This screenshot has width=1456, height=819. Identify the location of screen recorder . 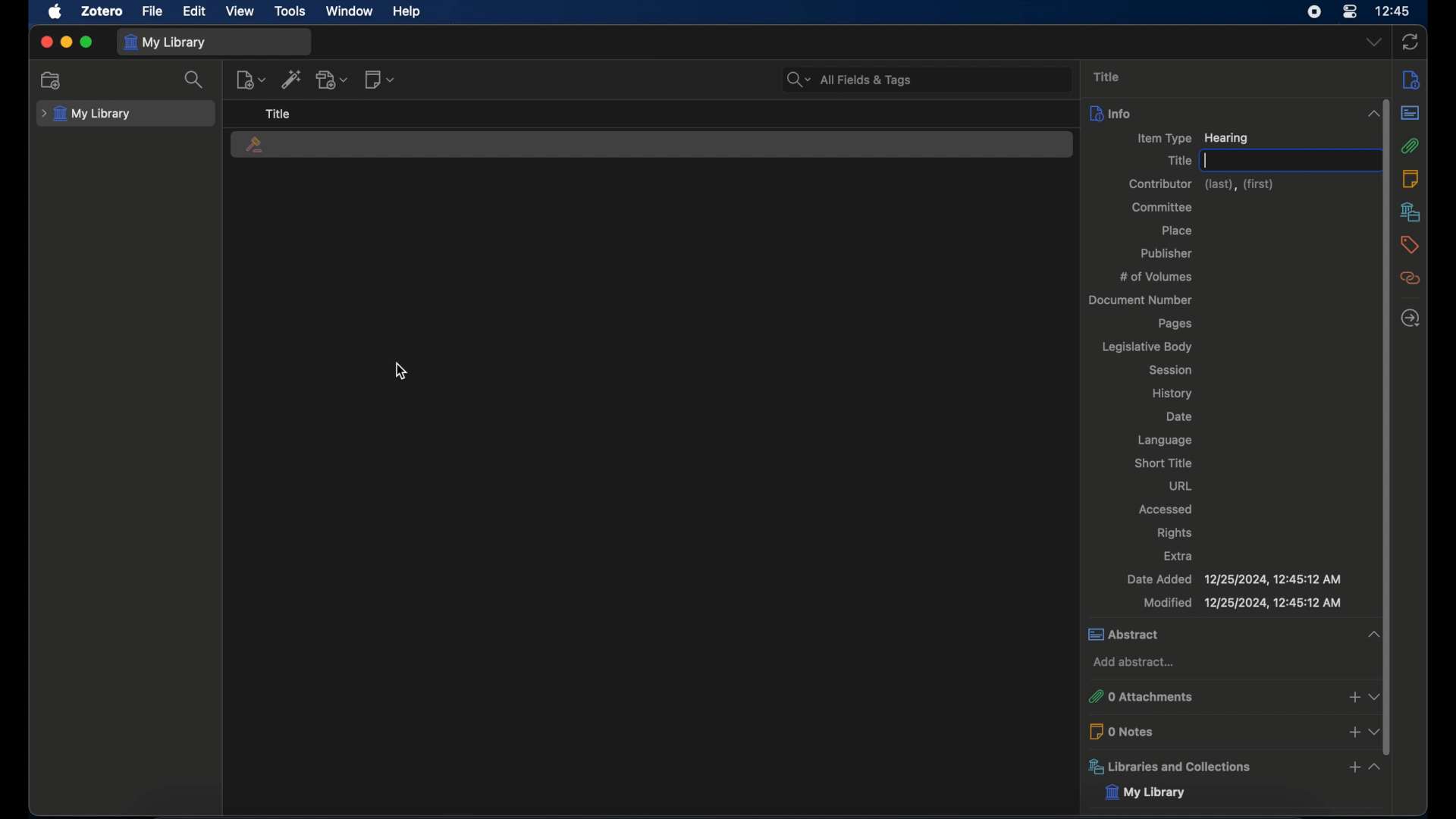
(1312, 12).